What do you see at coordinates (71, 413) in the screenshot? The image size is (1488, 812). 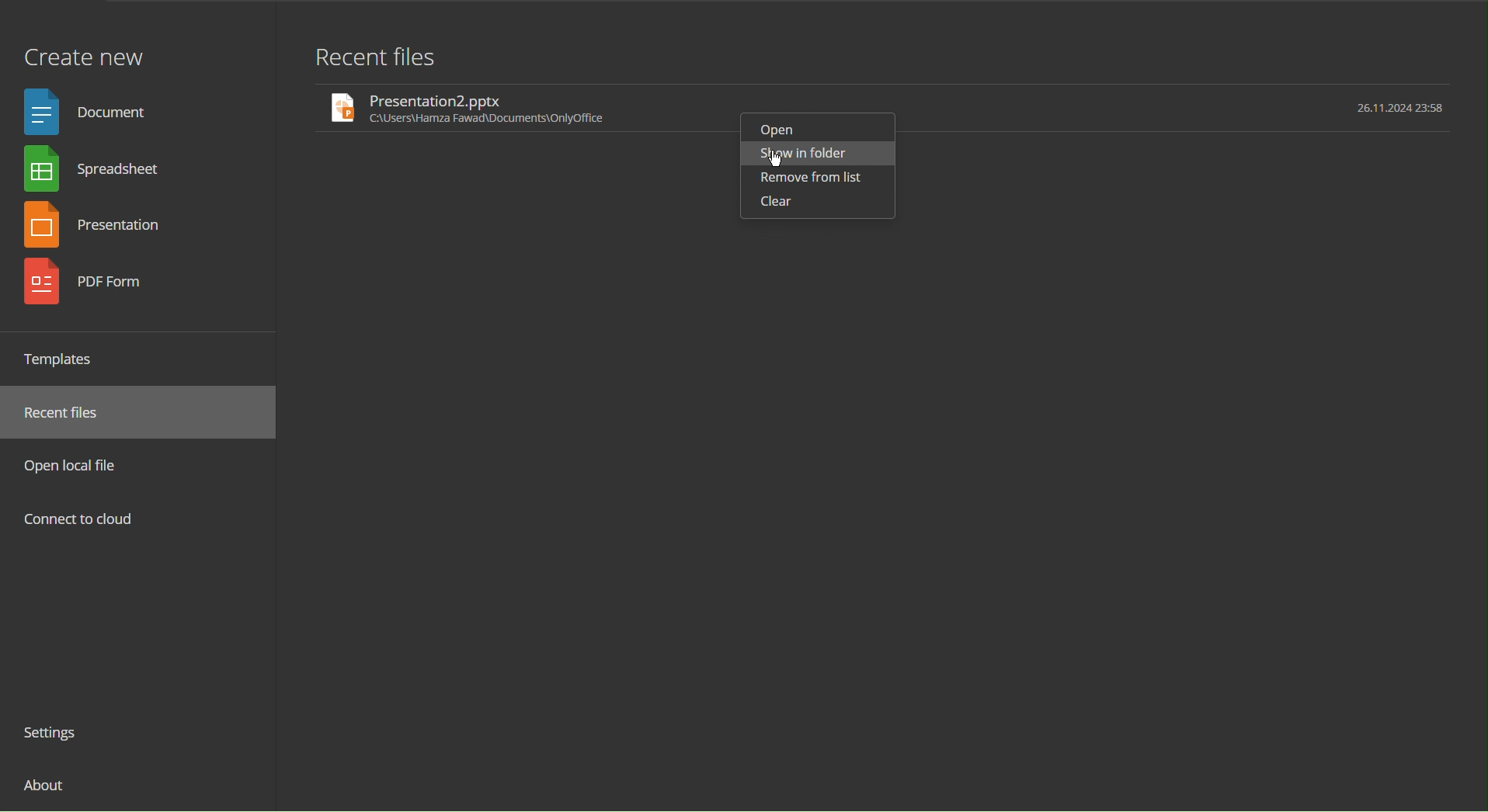 I see `Recent Files` at bounding box center [71, 413].